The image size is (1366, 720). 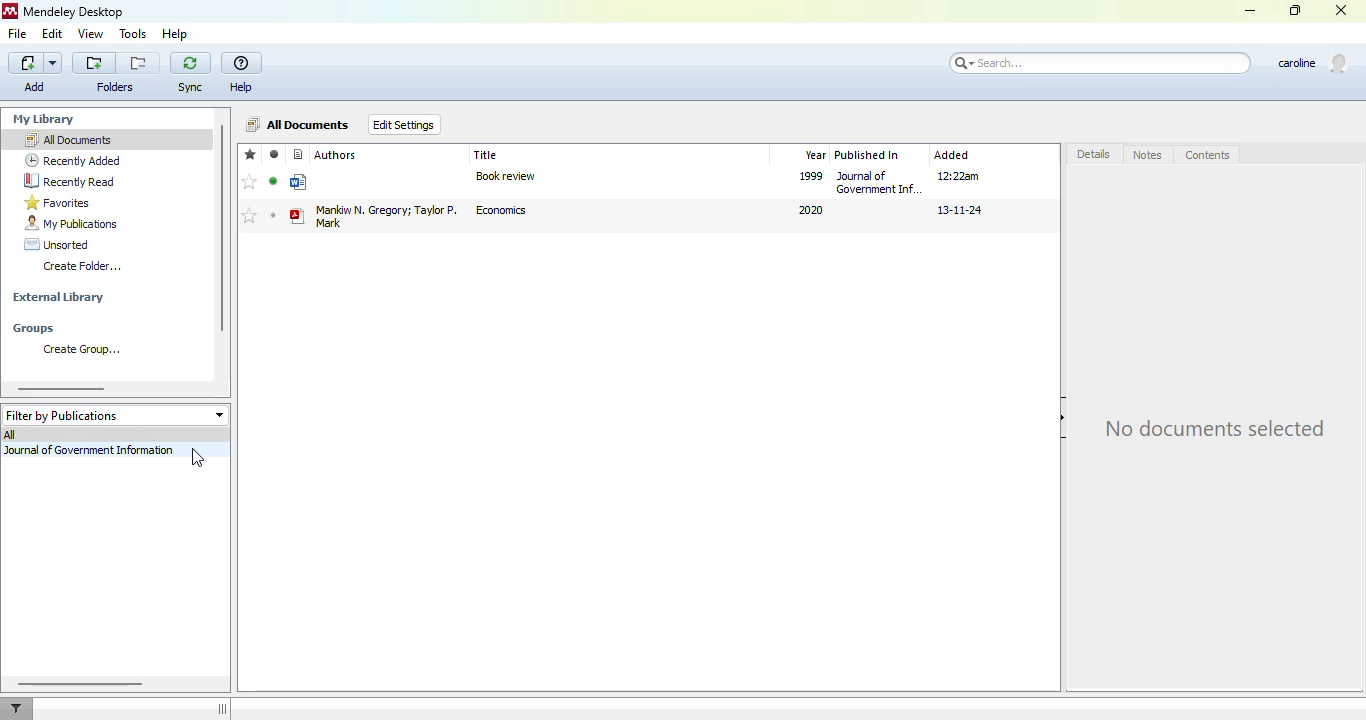 What do you see at coordinates (138, 63) in the screenshot?
I see `Remove folder` at bounding box center [138, 63].